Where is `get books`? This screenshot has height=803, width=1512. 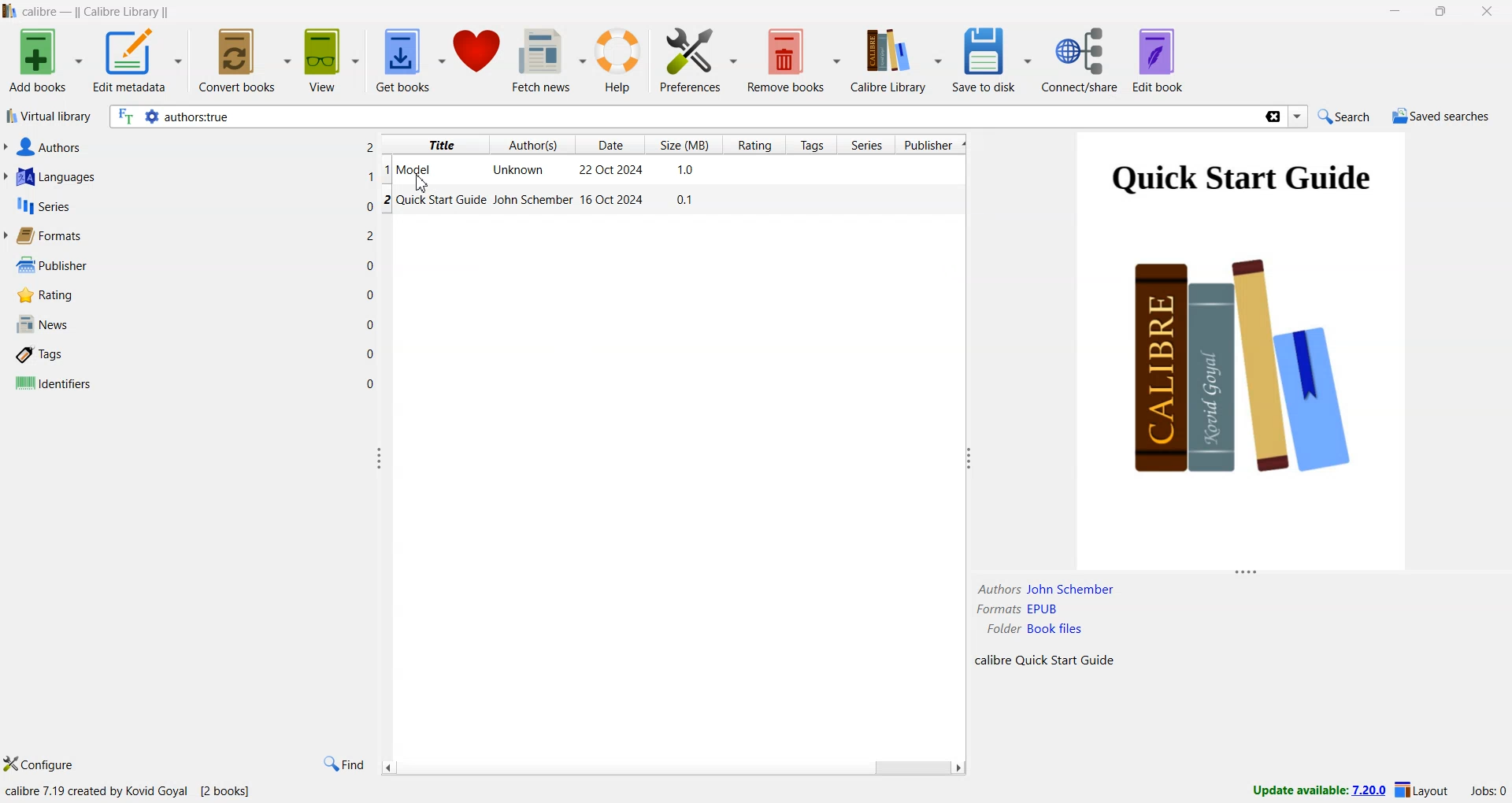 get books is located at coordinates (410, 61).